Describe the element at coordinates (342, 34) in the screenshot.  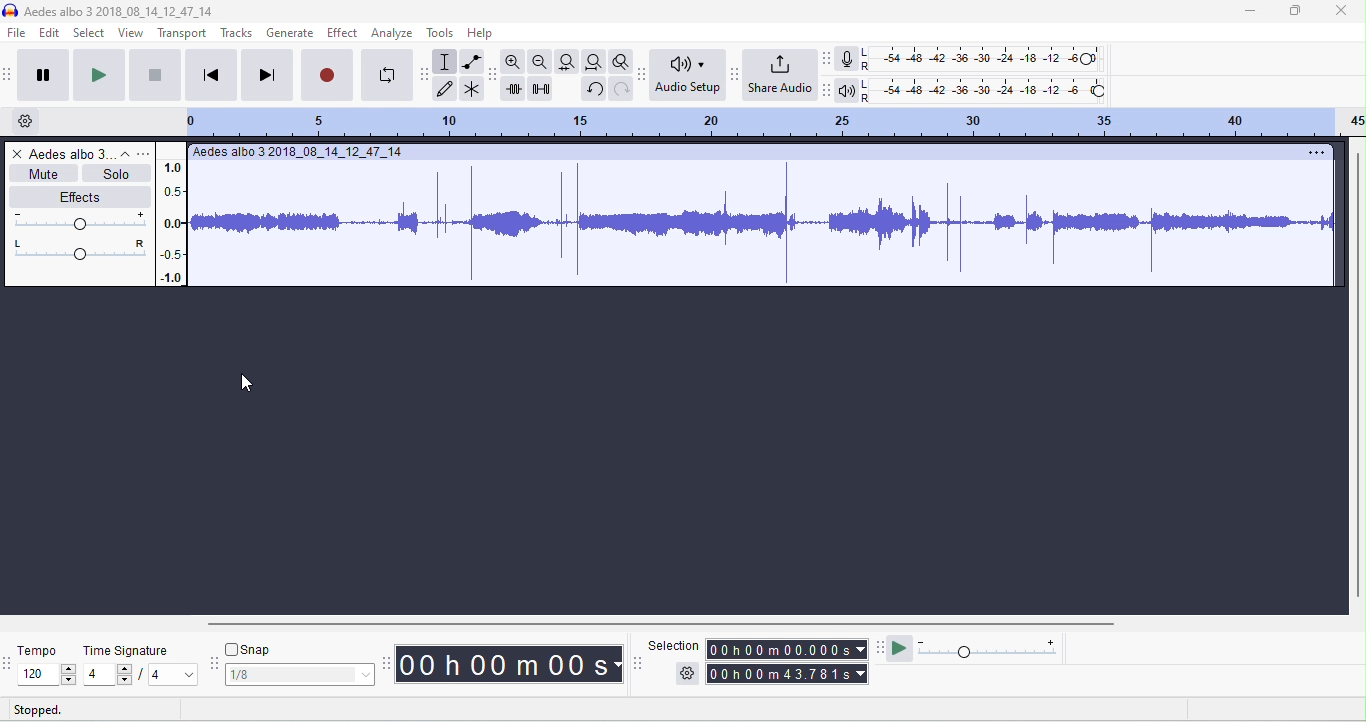
I see `effect` at that location.